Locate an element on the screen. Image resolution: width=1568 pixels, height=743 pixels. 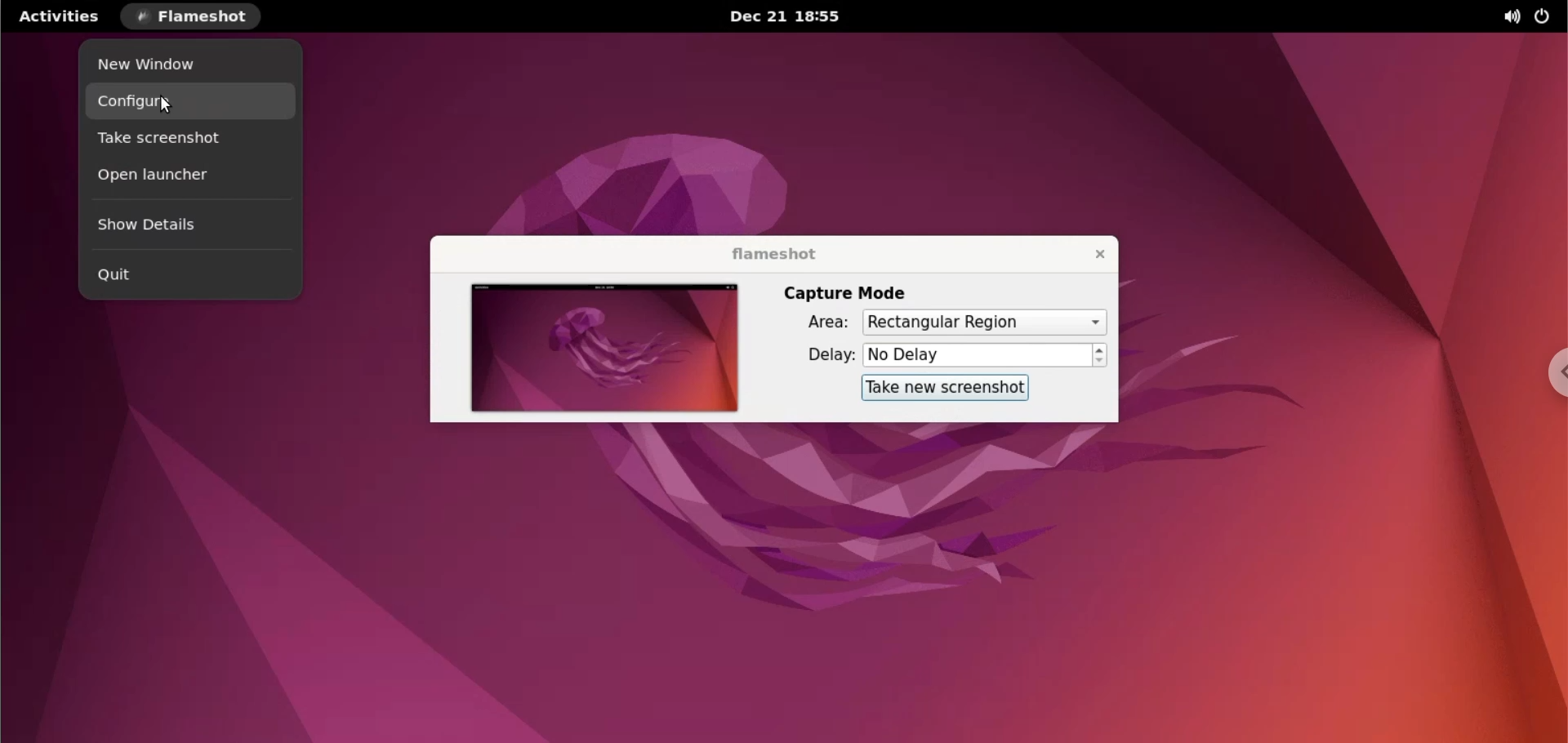
Activities is located at coordinates (58, 22).